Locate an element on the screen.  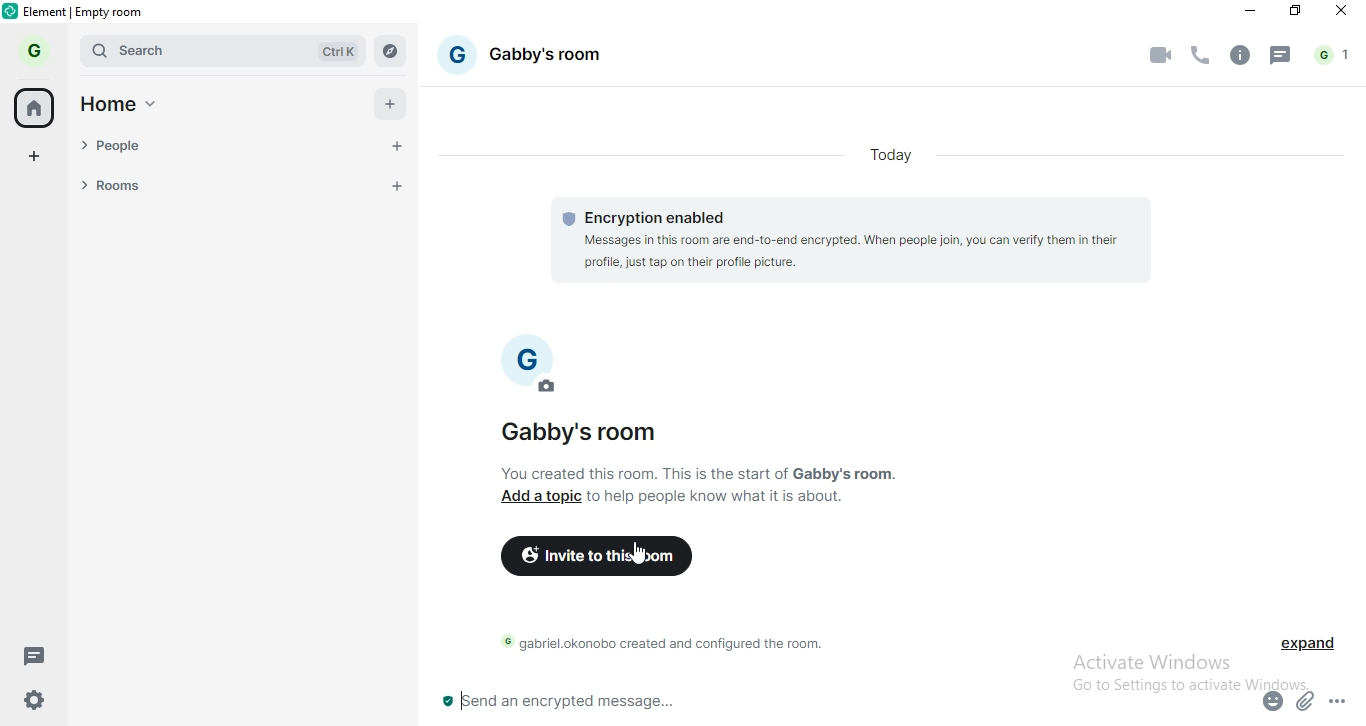
voice call is located at coordinates (1202, 56).